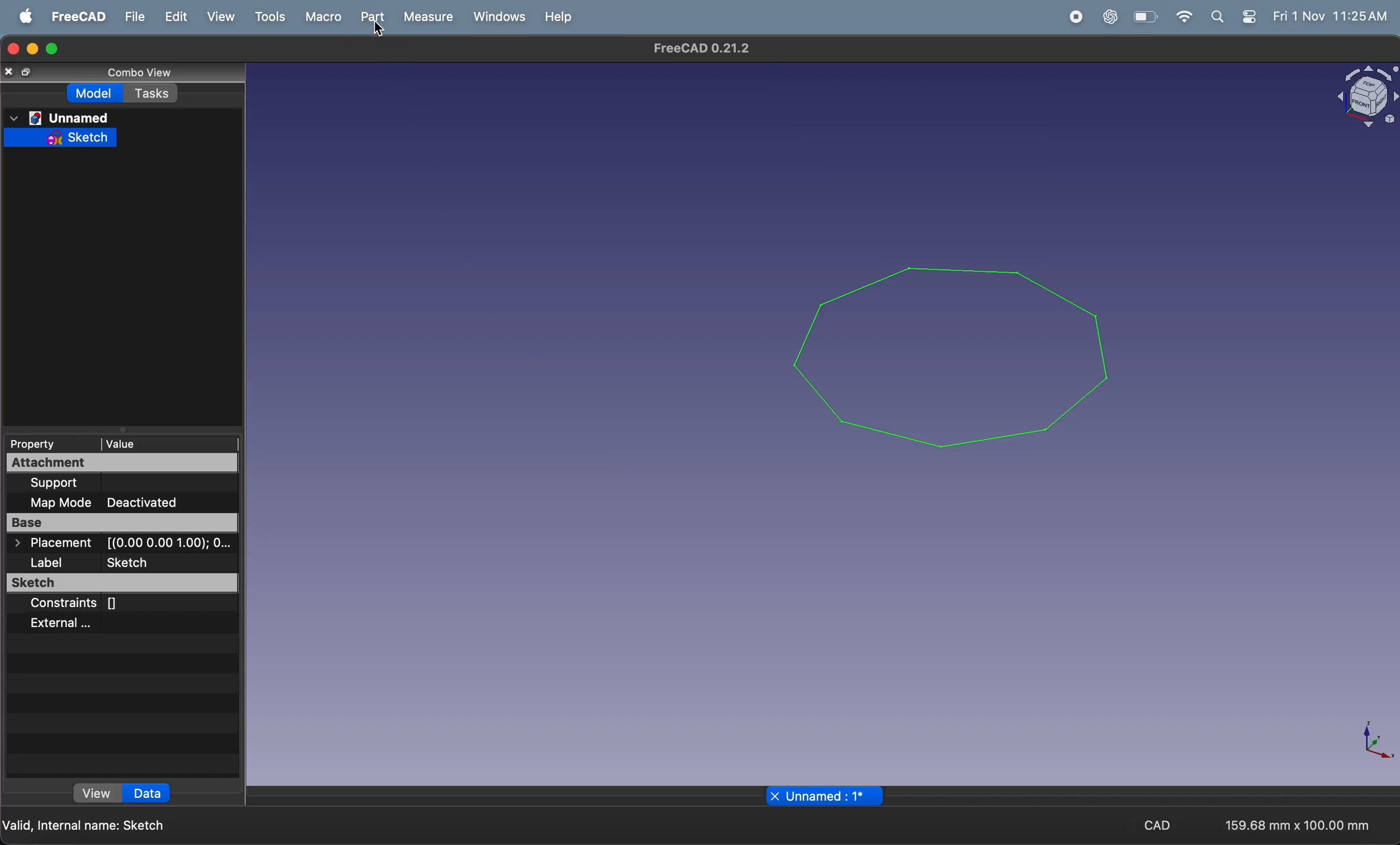  Describe the element at coordinates (60, 502) in the screenshot. I see `map mode` at that location.